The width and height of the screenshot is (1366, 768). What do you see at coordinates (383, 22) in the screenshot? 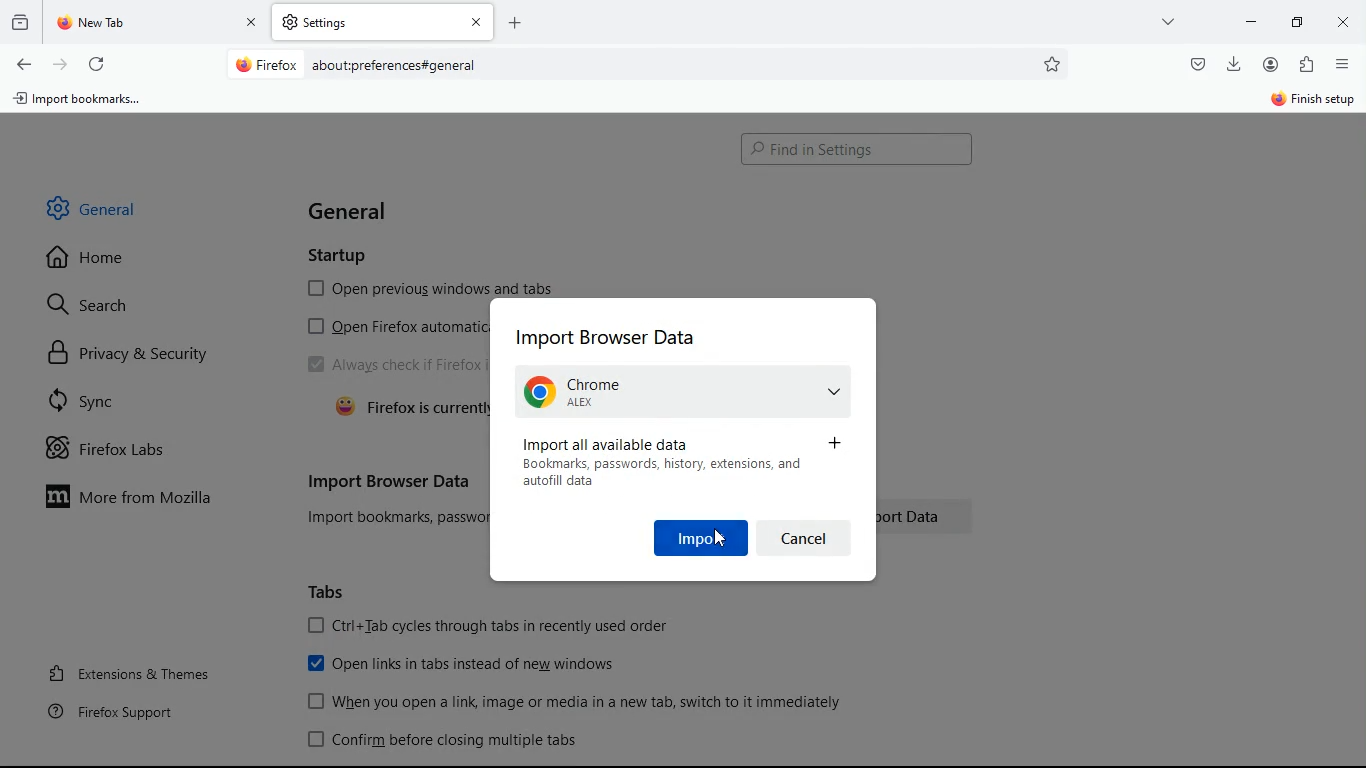
I see `tab` at bounding box center [383, 22].